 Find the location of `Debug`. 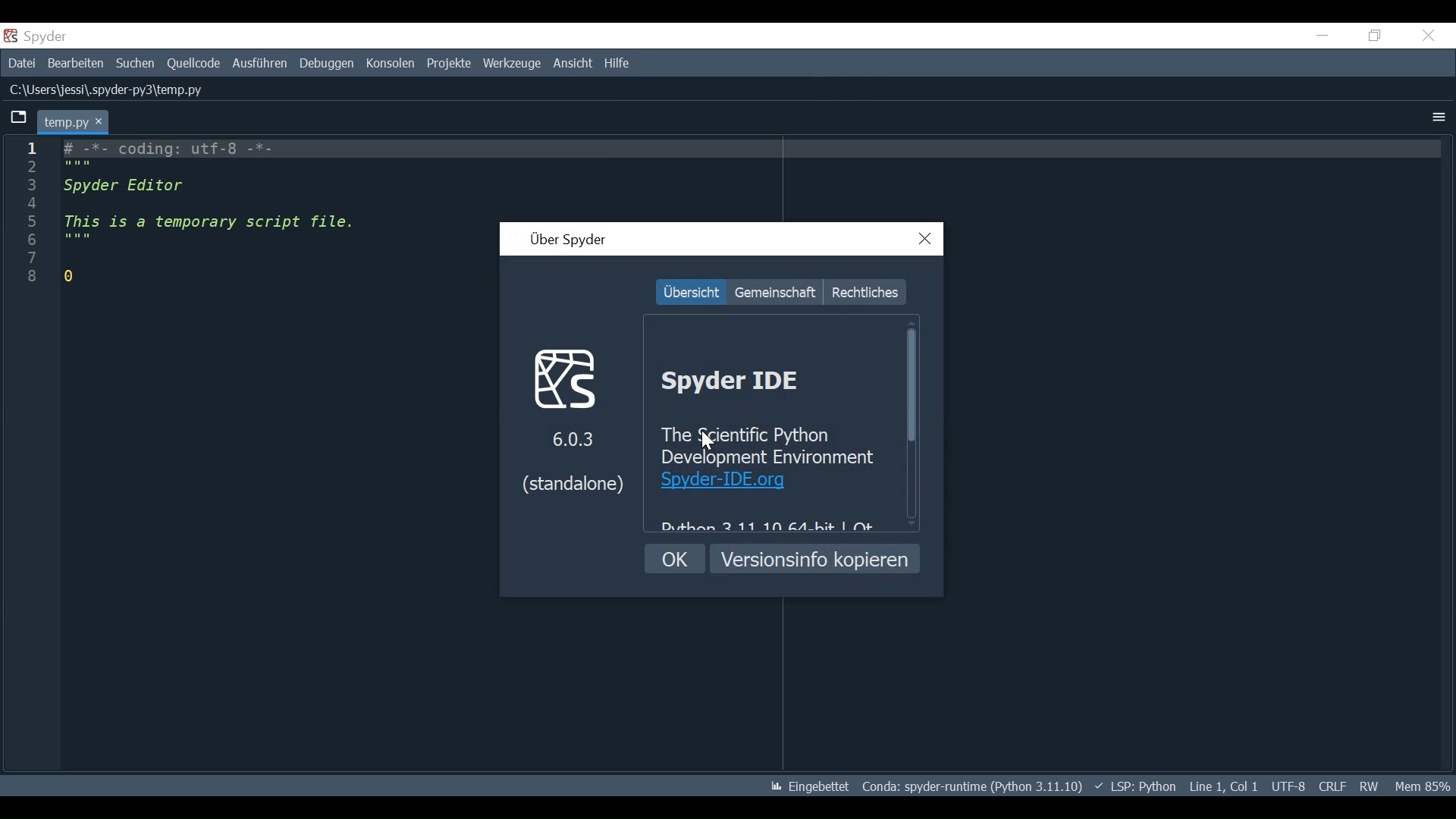

Debug is located at coordinates (326, 64).